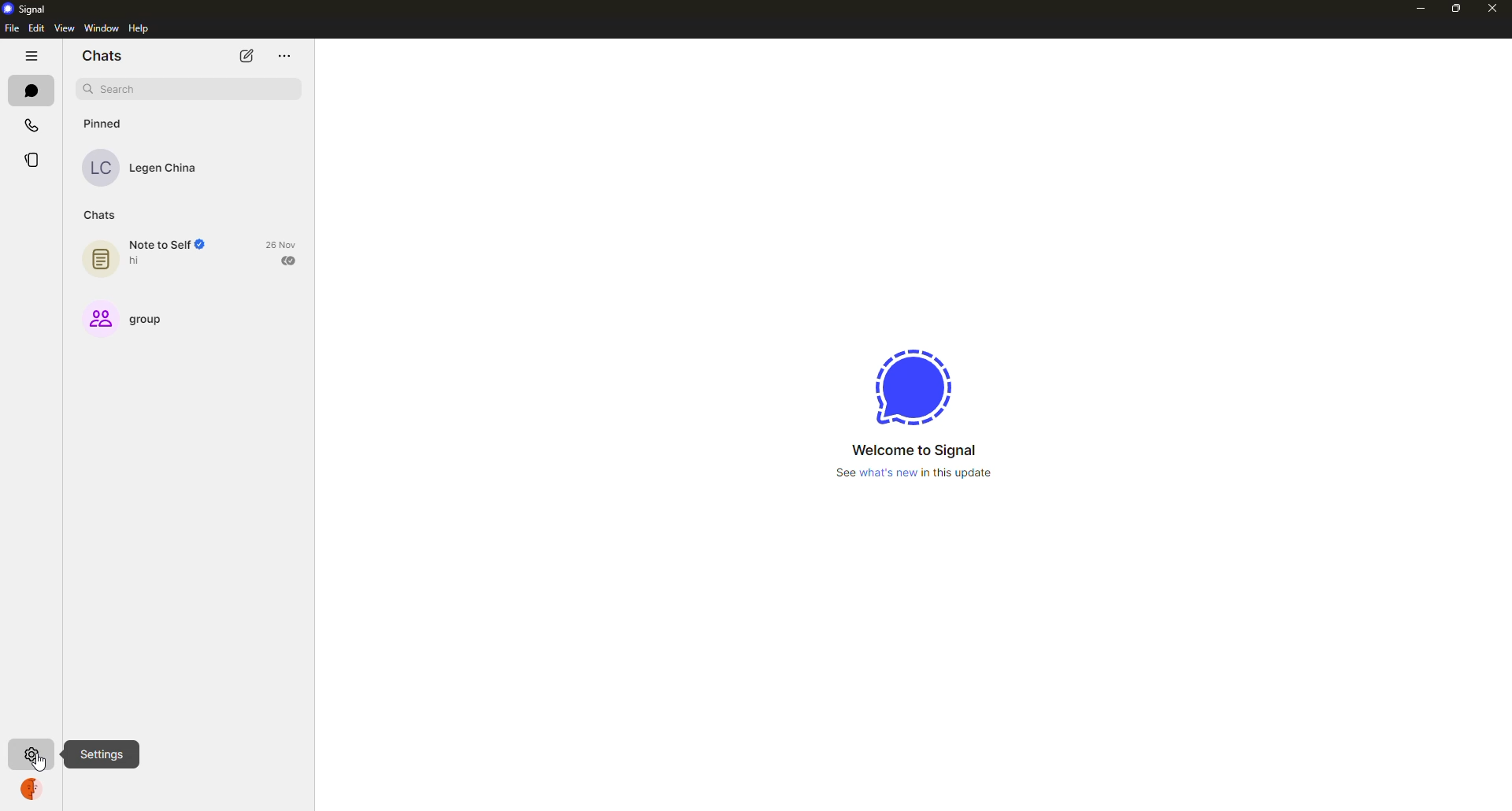 This screenshot has width=1512, height=811. What do you see at coordinates (28, 10) in the screenshot?
I see `signal` at bounding box center [28, 10].